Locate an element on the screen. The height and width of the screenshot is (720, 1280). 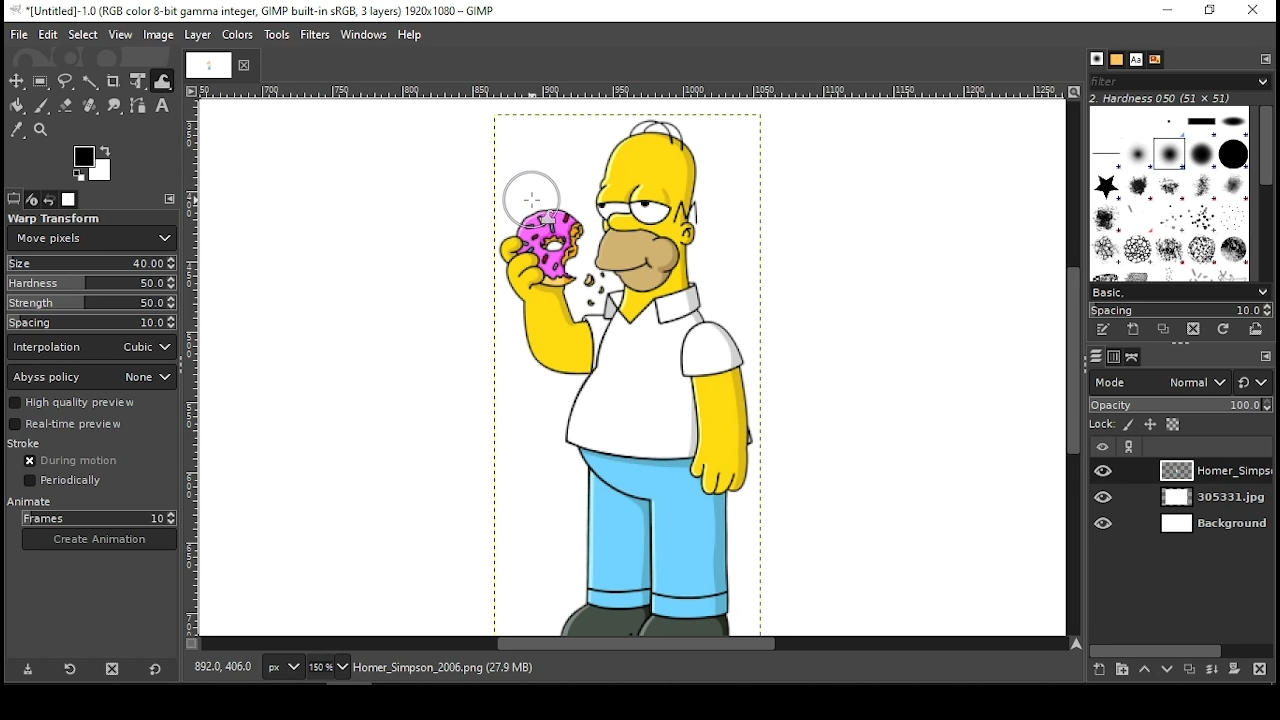
units is located at coordinates (284, 667).